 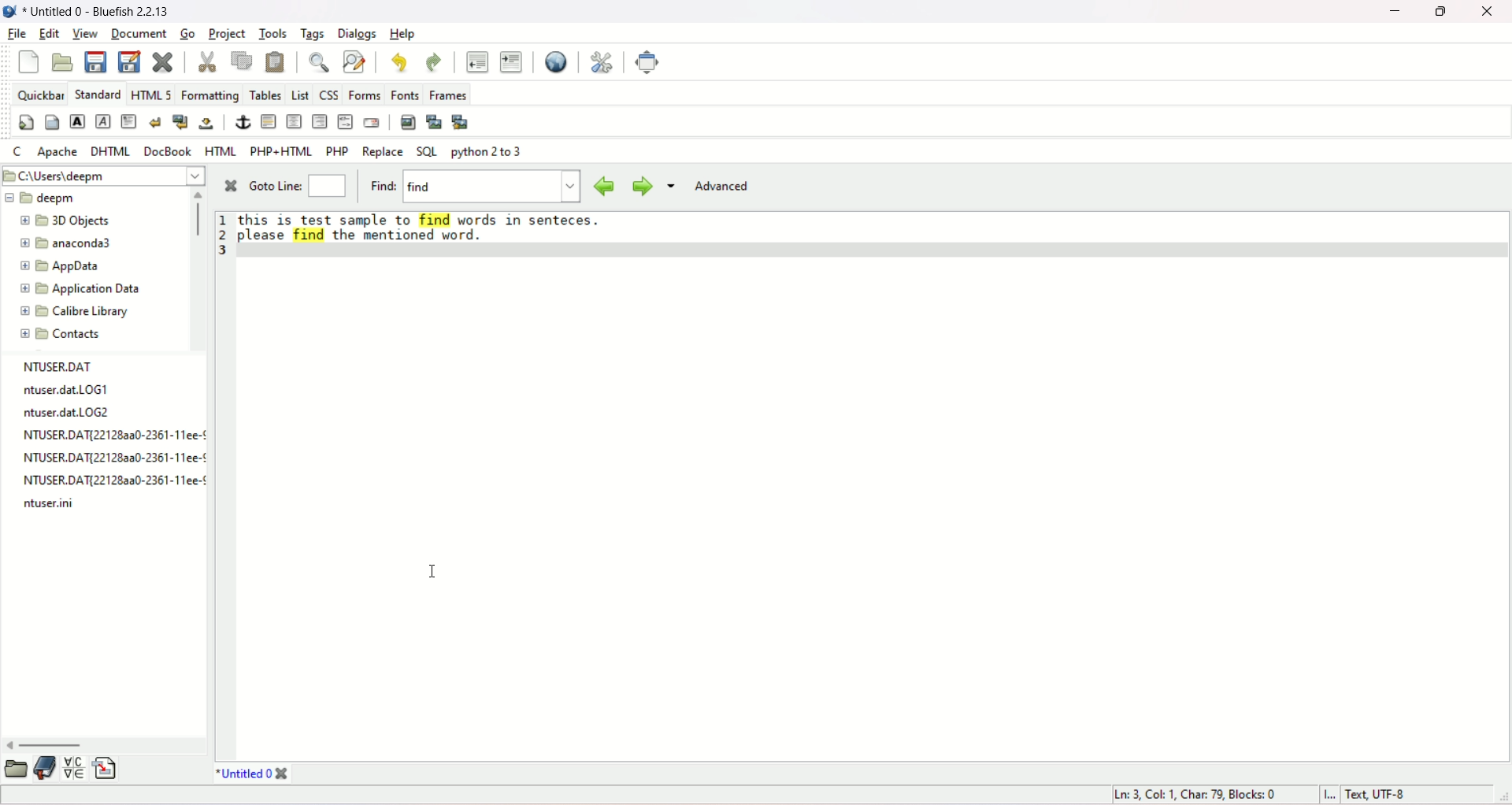 I want to click on file, so click(x=15, y=34).